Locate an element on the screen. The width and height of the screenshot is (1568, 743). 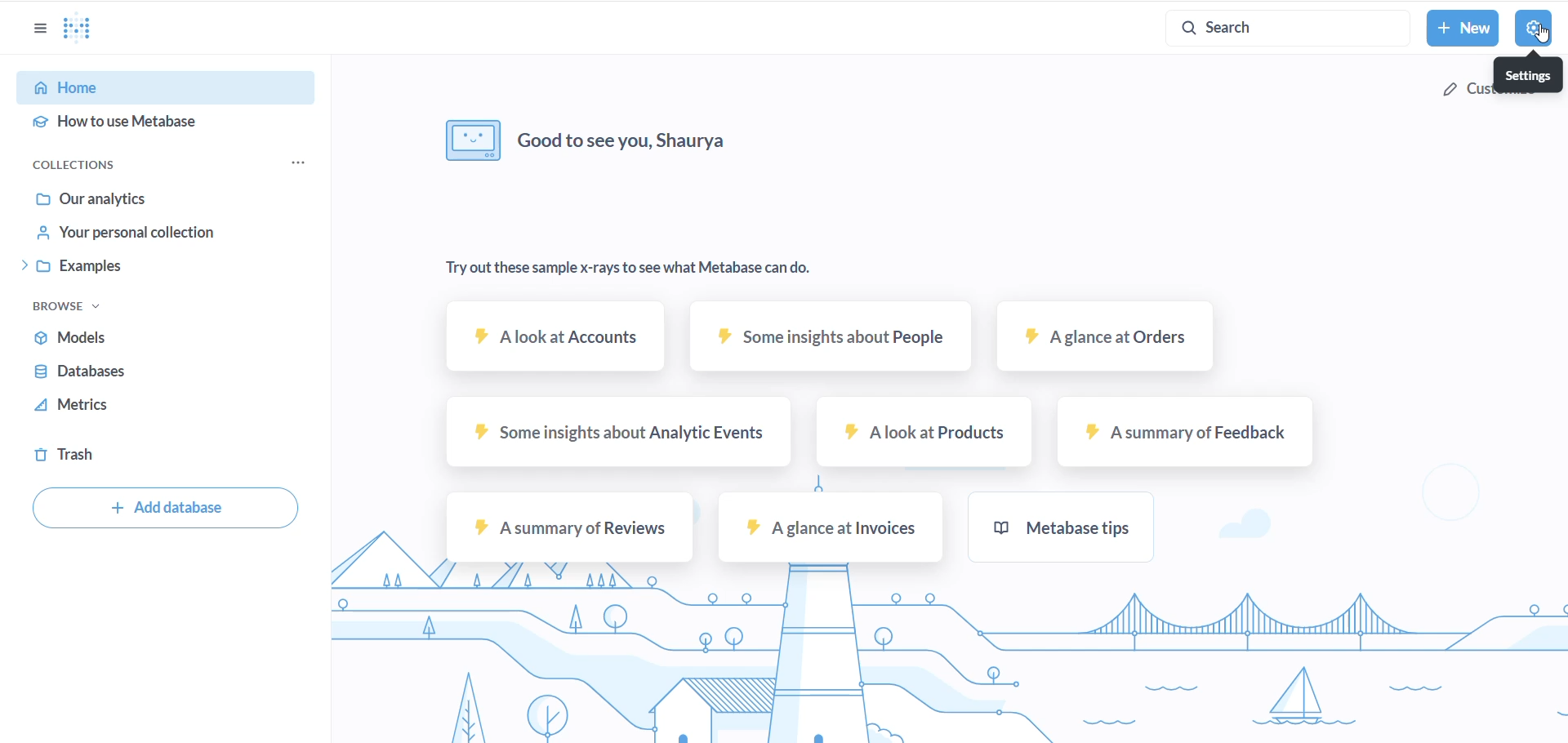
CUSTOMIZE is located at coordinates (1503, 93).